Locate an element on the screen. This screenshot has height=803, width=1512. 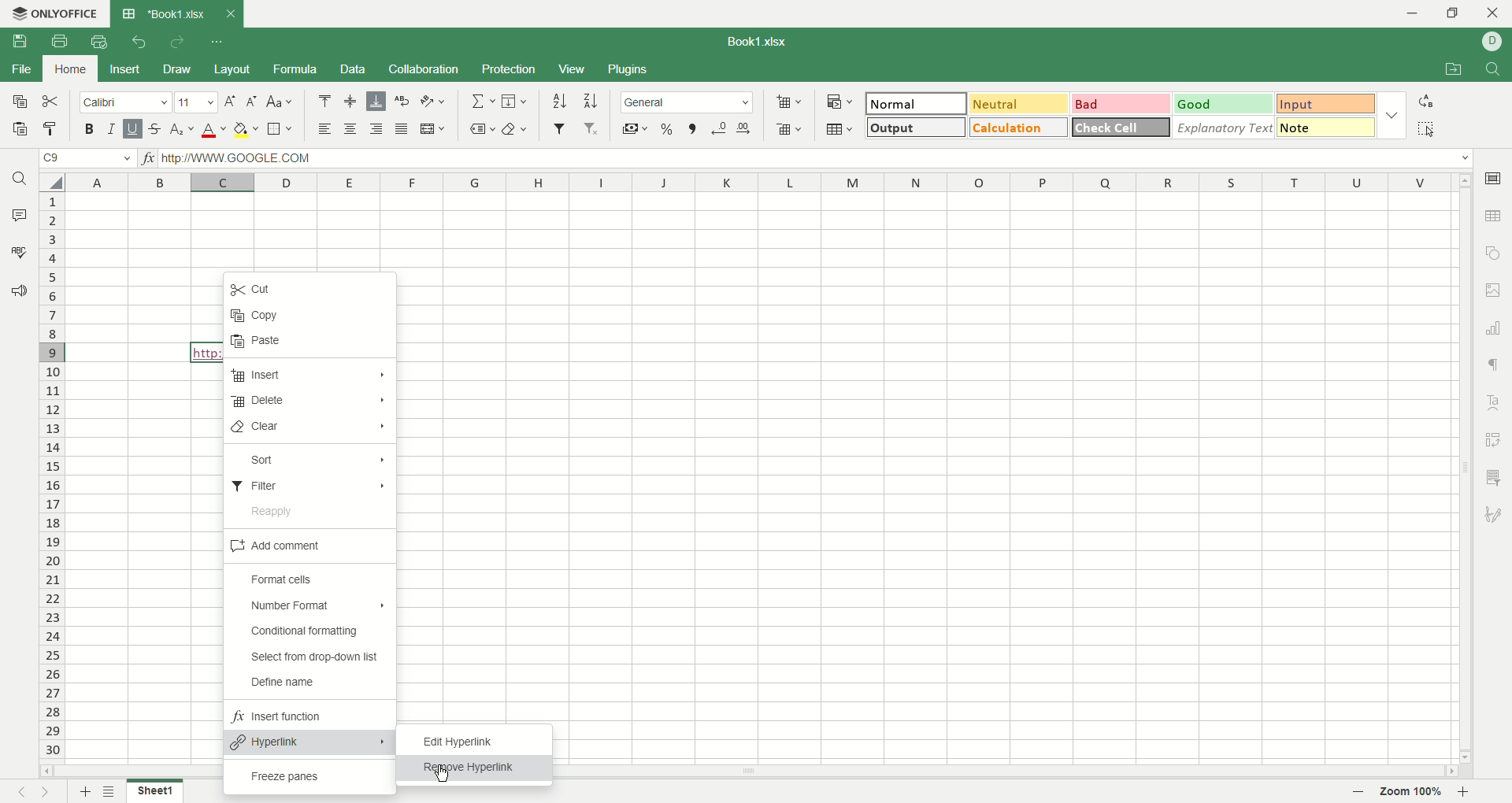
align center is located at coordinates (350, 129).